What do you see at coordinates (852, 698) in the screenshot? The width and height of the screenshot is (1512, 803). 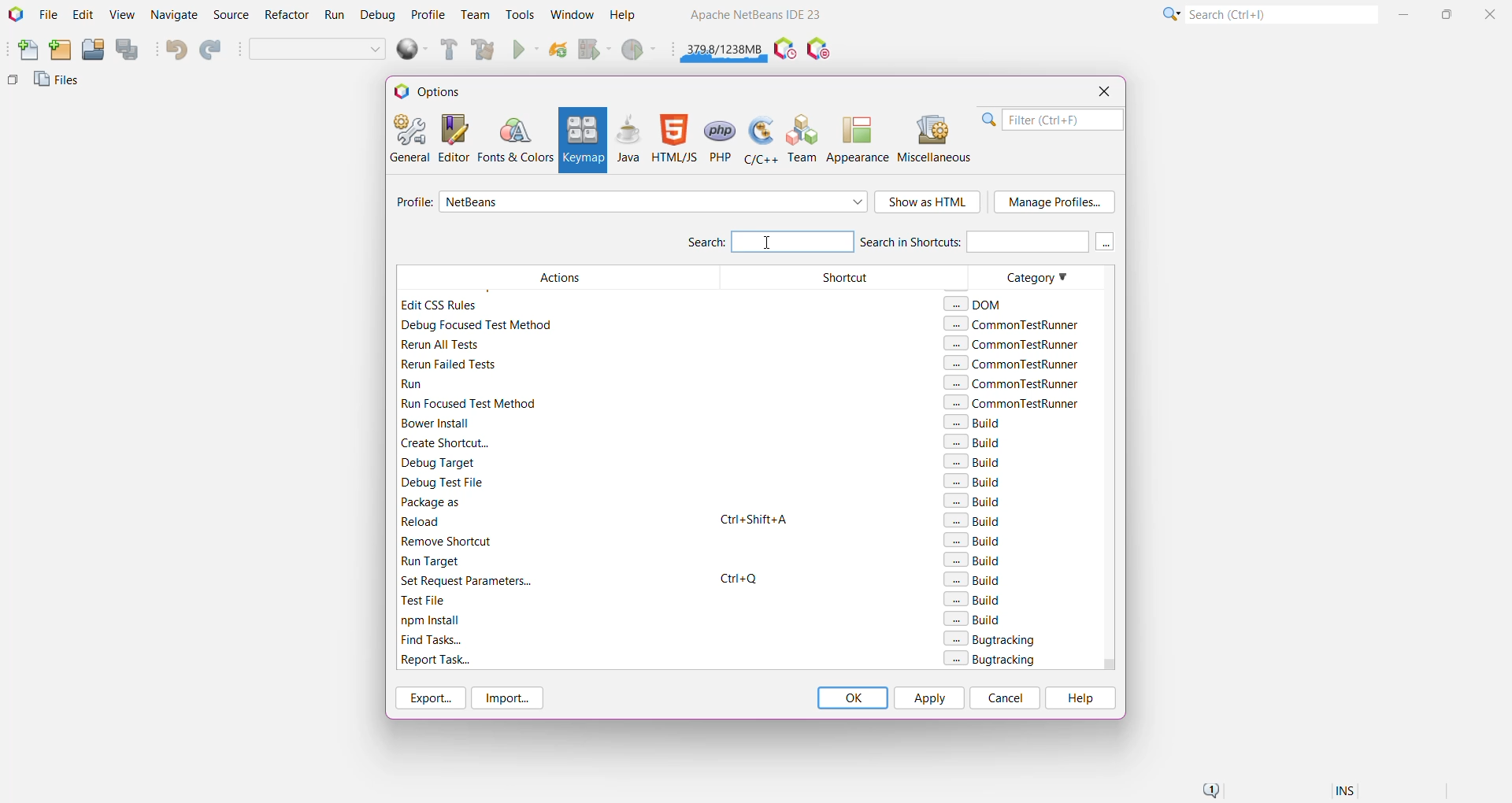 I see `OK` at bounding box center [852, 698].